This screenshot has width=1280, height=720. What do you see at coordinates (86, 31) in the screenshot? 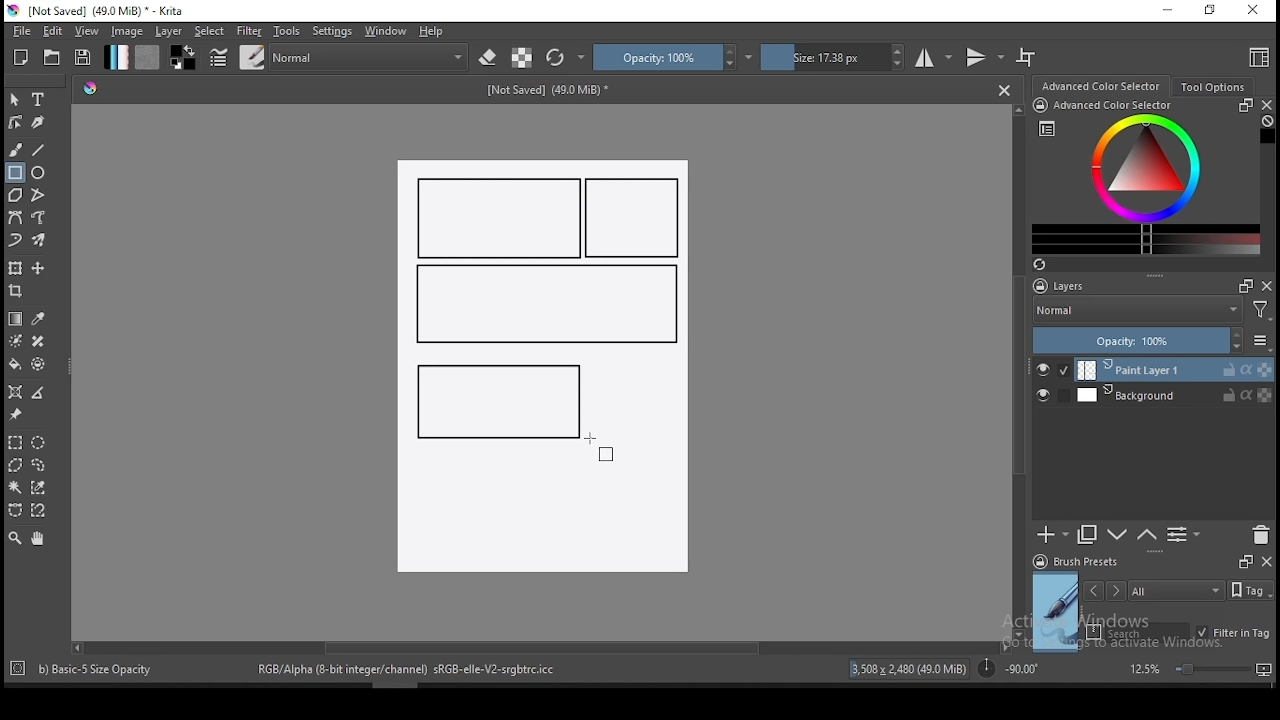
I see `view` at bounding box center [86, 31].